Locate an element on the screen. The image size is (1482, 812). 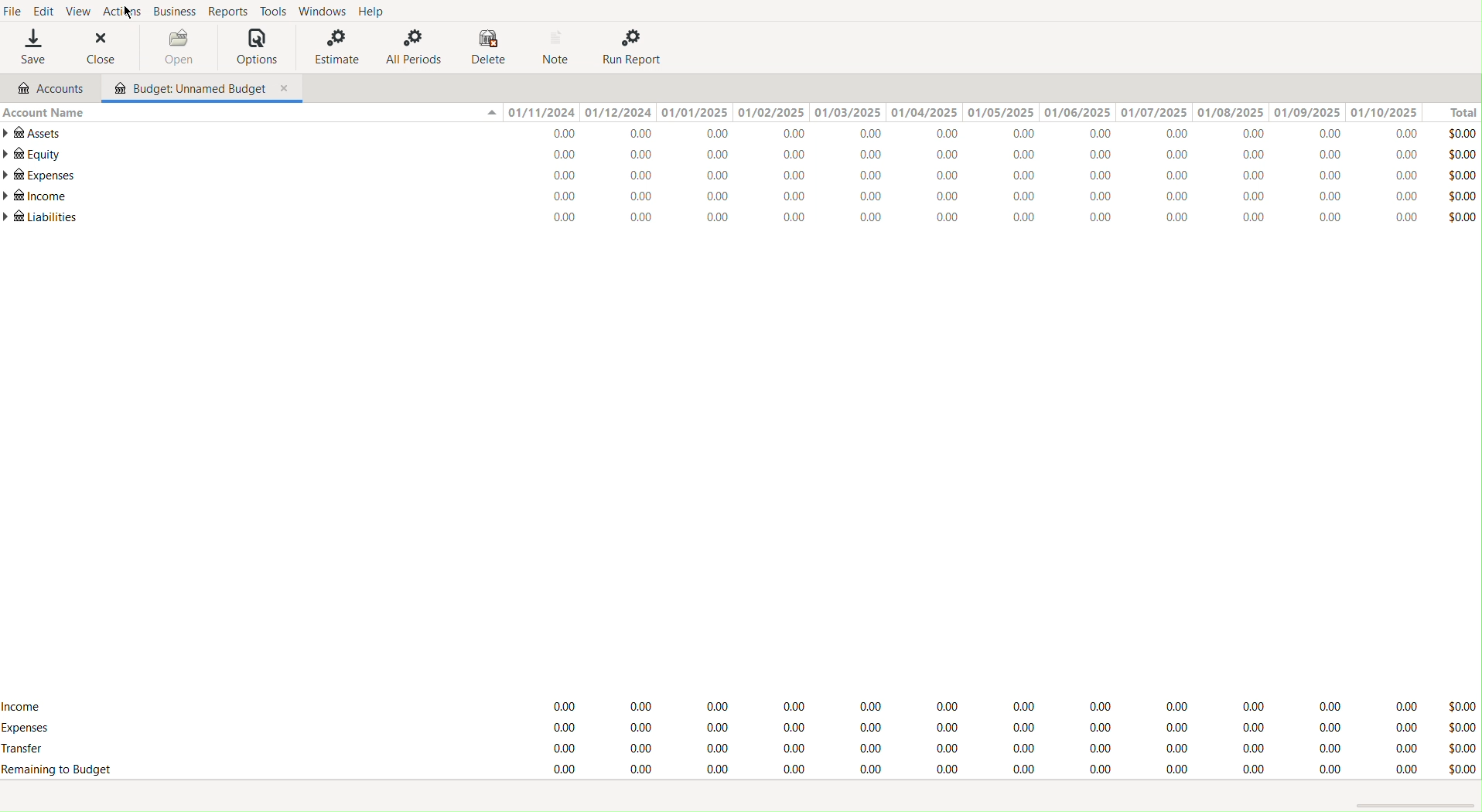
Open is located at coordinates (175, 46).